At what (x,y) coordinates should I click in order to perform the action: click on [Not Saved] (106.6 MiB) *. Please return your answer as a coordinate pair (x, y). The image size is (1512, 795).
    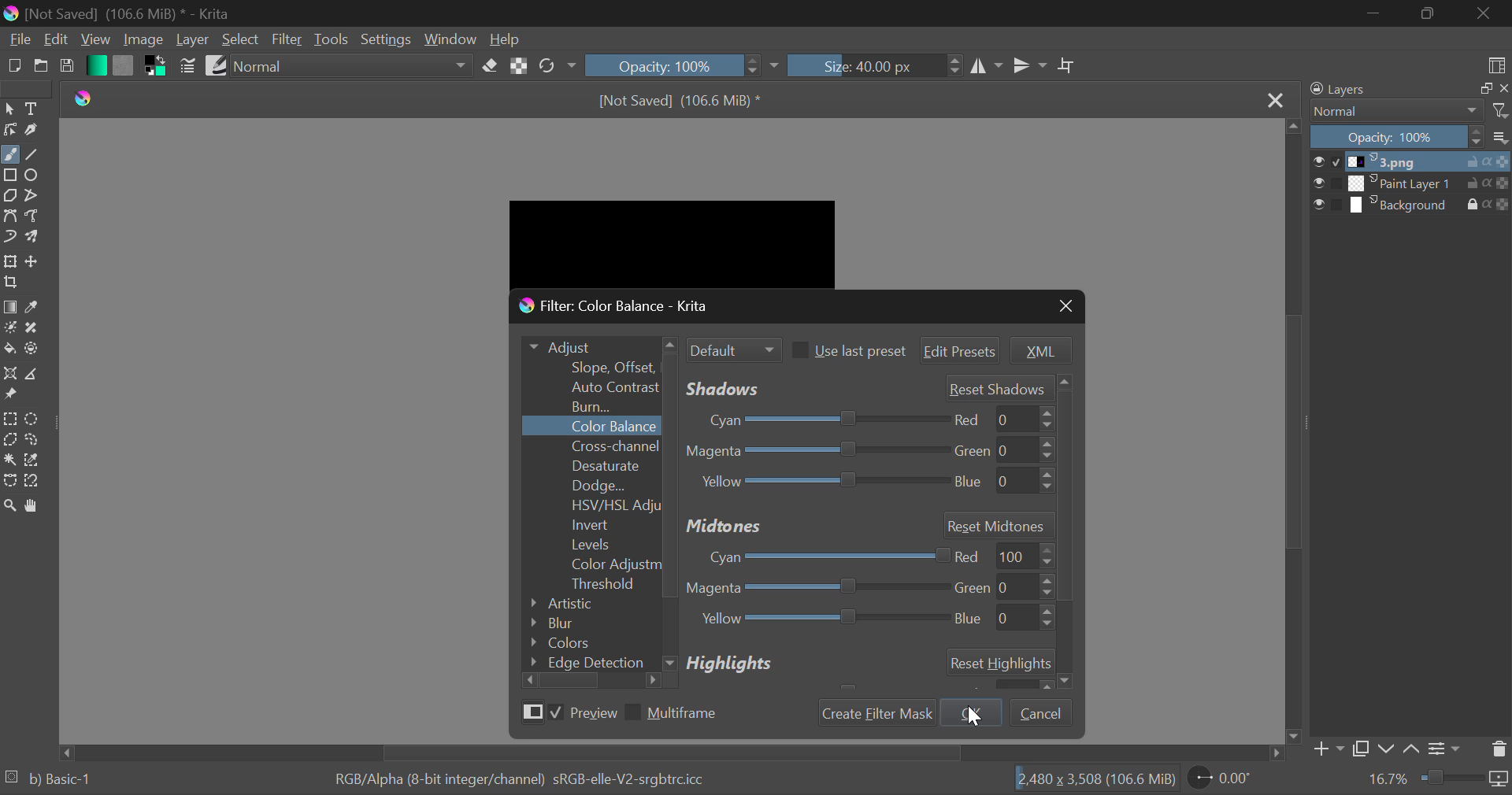
    Looking at the image, I should click on (673, 99).